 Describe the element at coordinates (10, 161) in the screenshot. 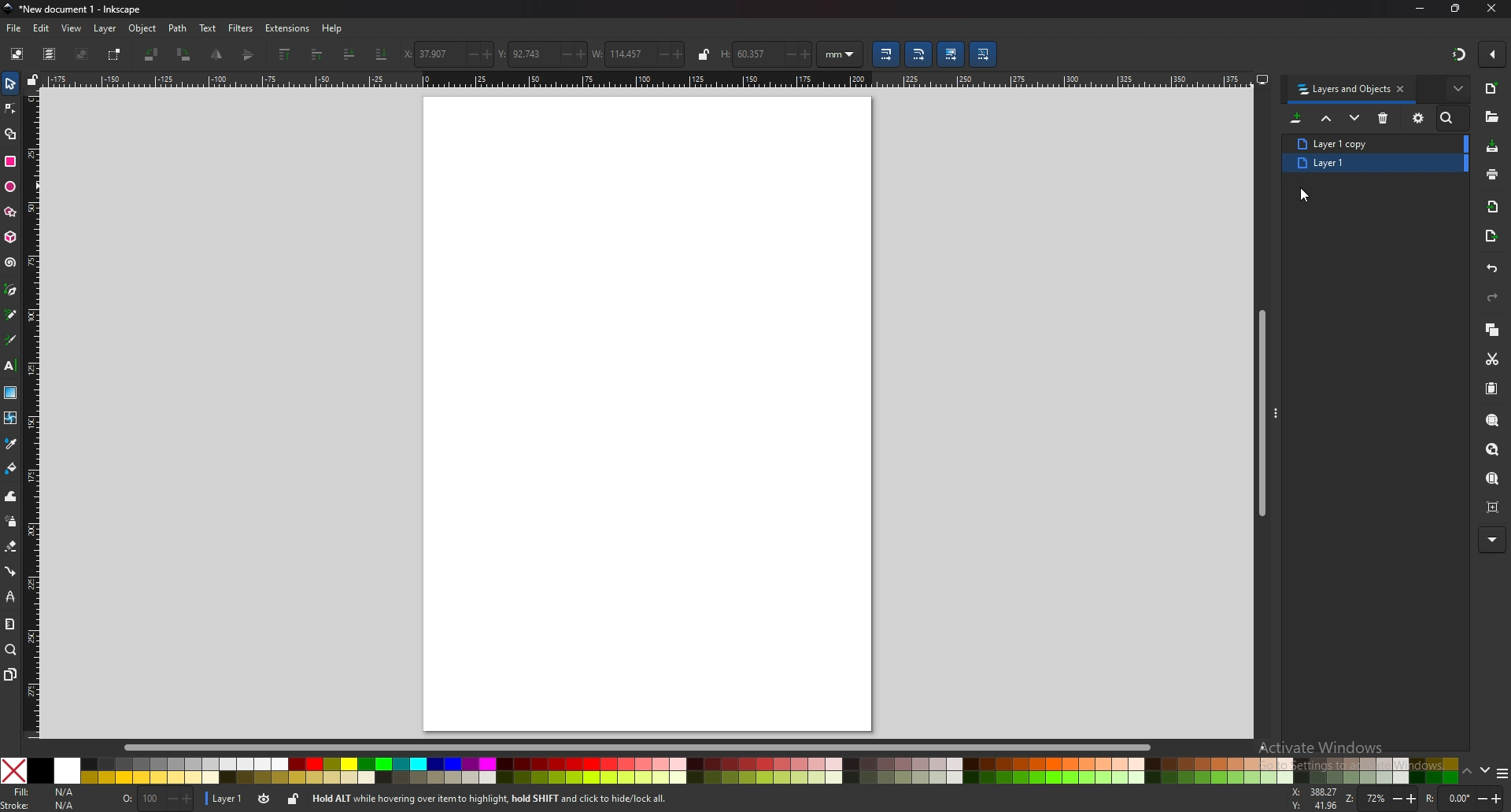

I see `rectangle` at that location.